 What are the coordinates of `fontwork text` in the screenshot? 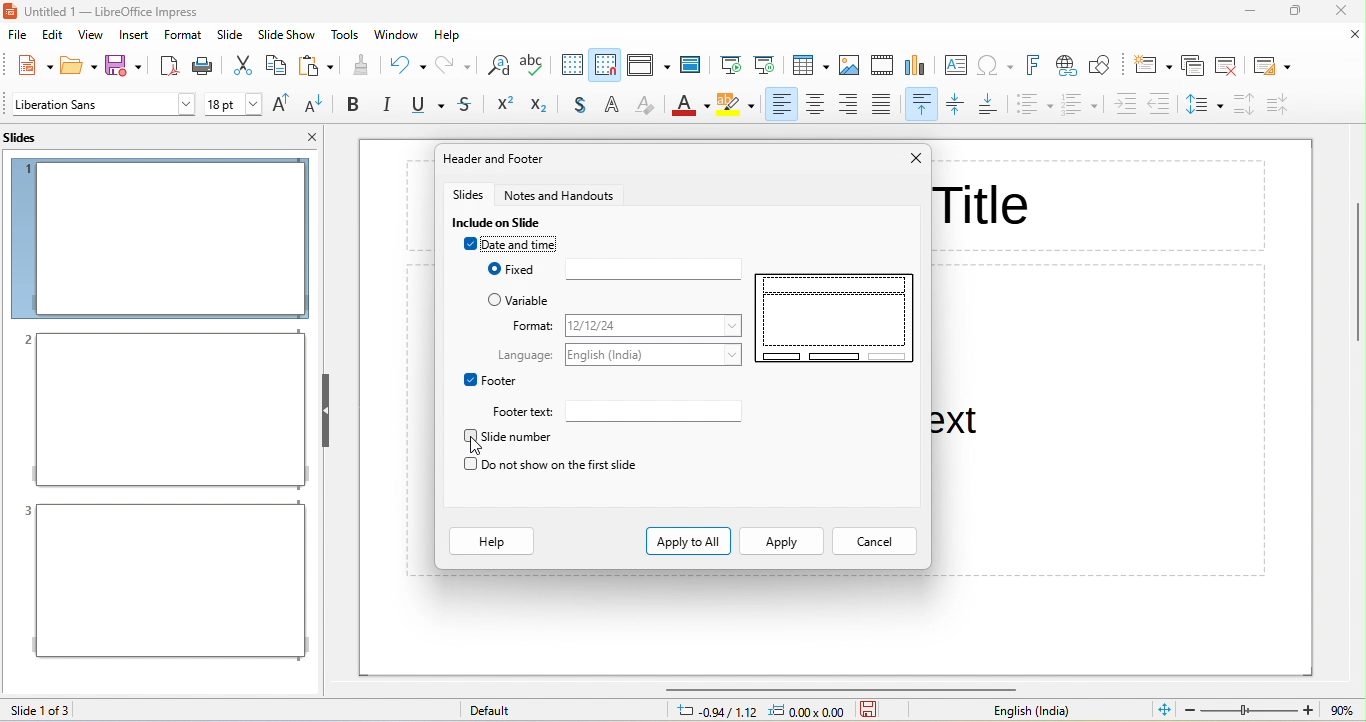 It's located at (1037, 65).